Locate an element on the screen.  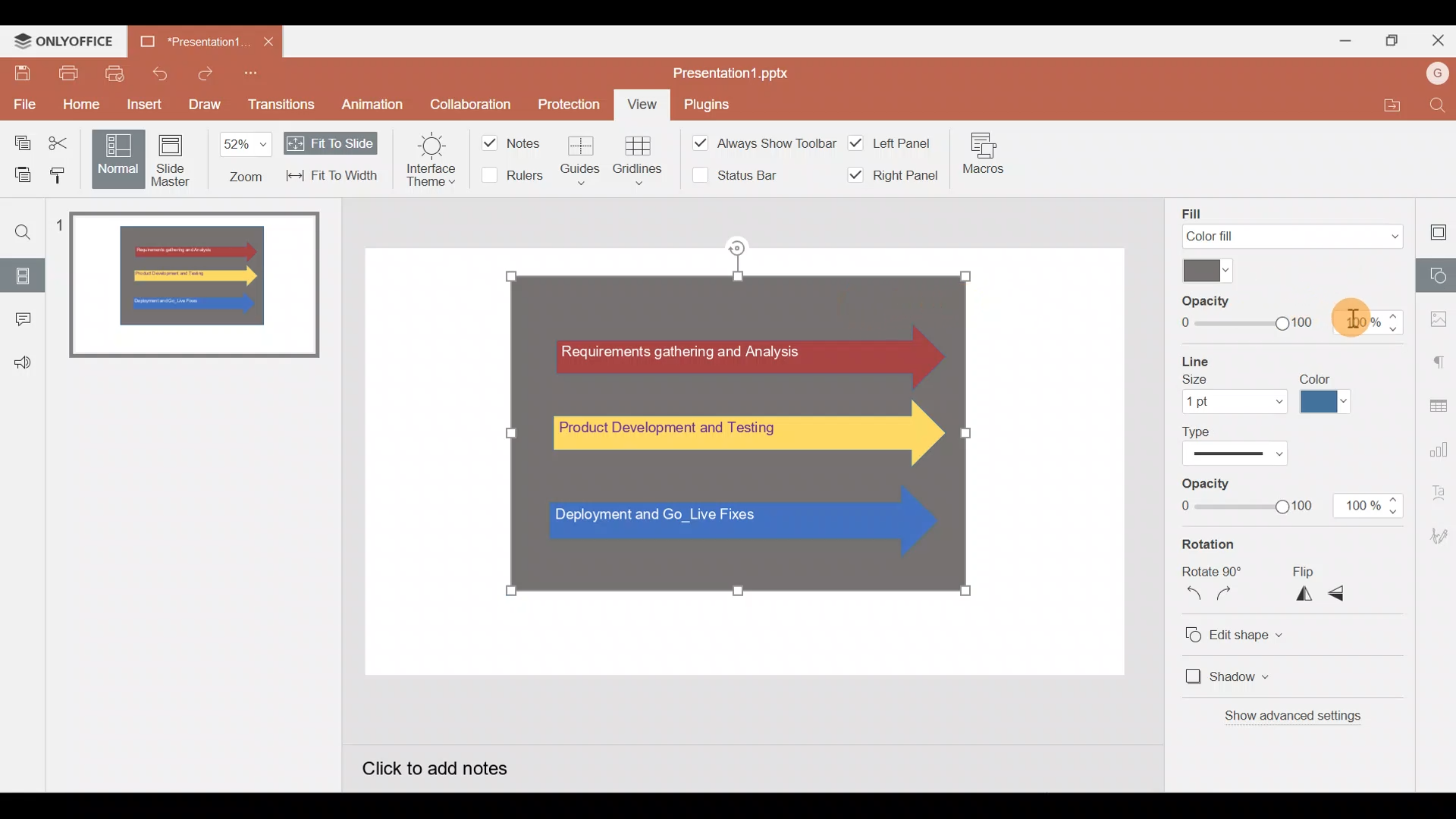
Slides is located at coordinates (24, 272).